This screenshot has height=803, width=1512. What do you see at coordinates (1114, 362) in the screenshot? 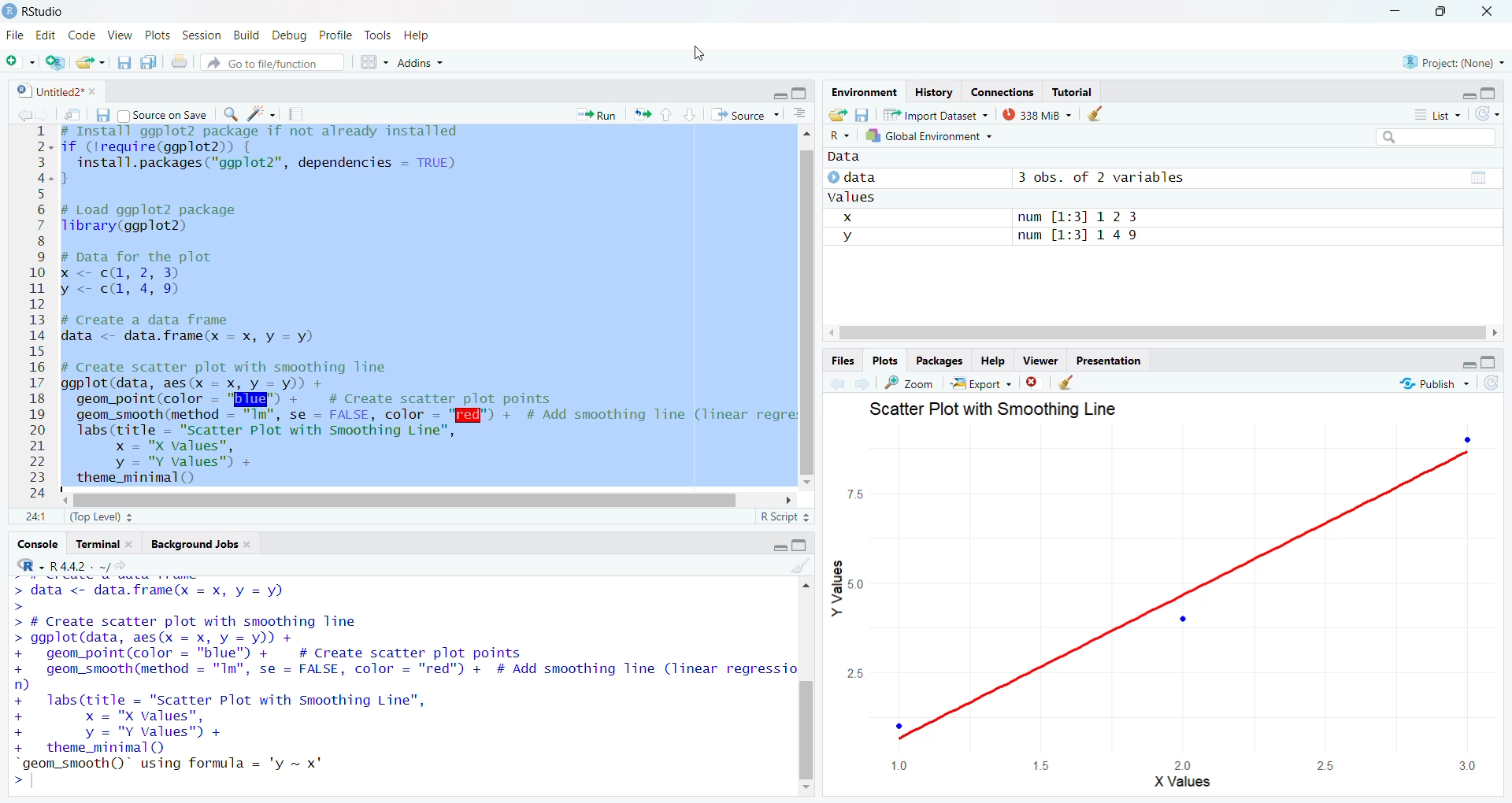
I see `Presentation` at bounding box center [1114, 362].